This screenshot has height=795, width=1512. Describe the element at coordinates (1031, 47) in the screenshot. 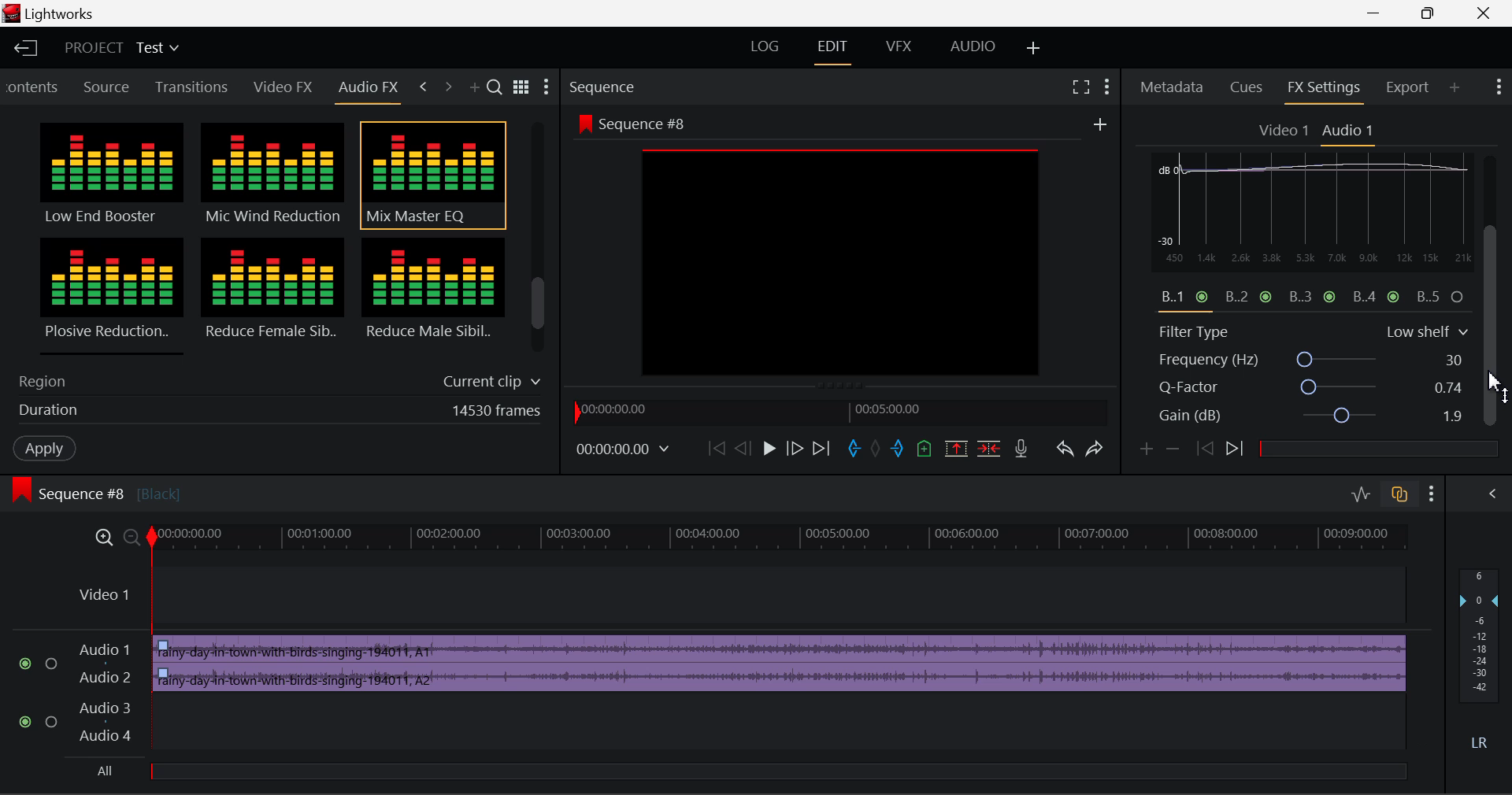

I see `Add Layout` at that location.